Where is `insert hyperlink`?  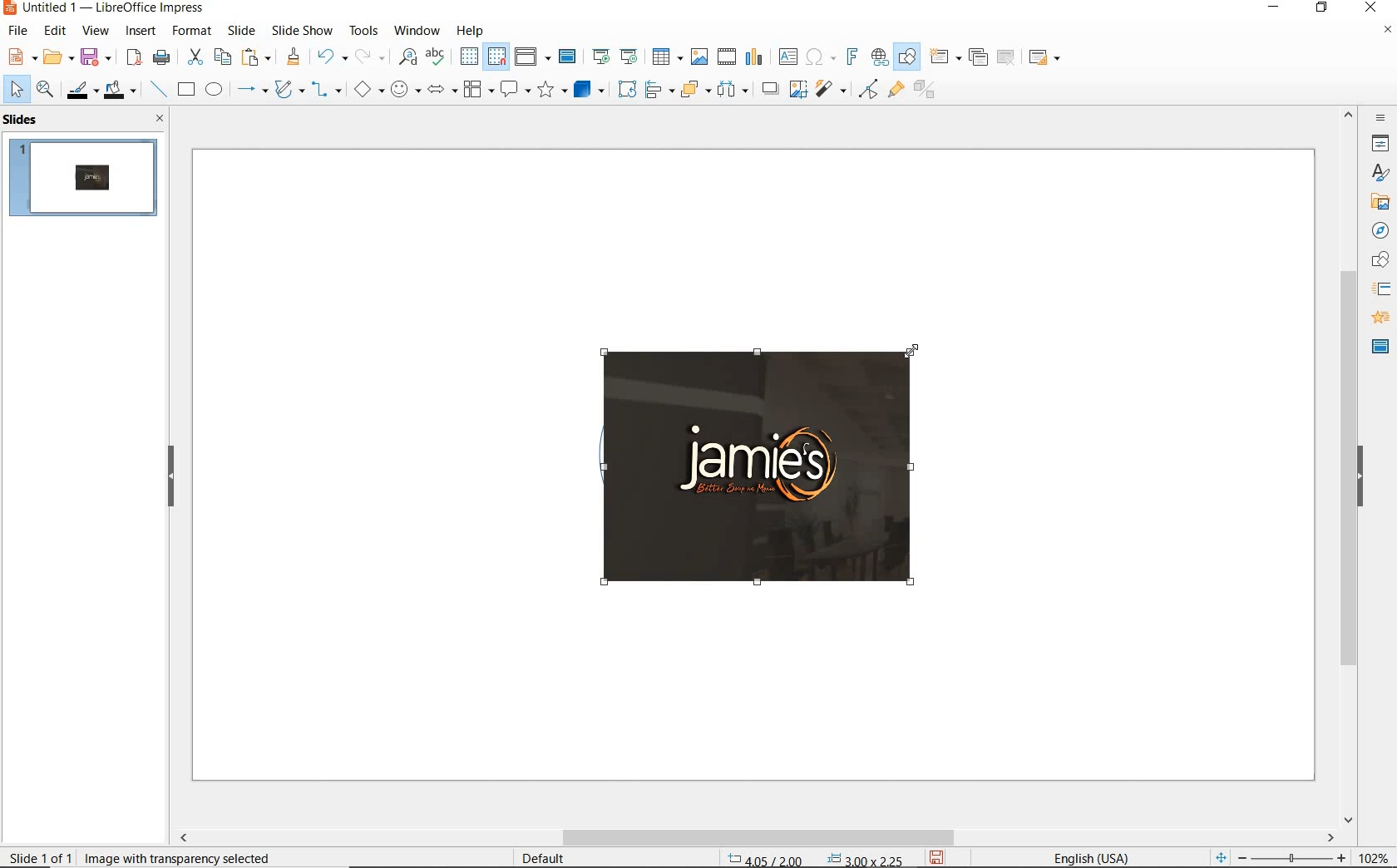 insert hyperlink is located at coordinates (880, 57).